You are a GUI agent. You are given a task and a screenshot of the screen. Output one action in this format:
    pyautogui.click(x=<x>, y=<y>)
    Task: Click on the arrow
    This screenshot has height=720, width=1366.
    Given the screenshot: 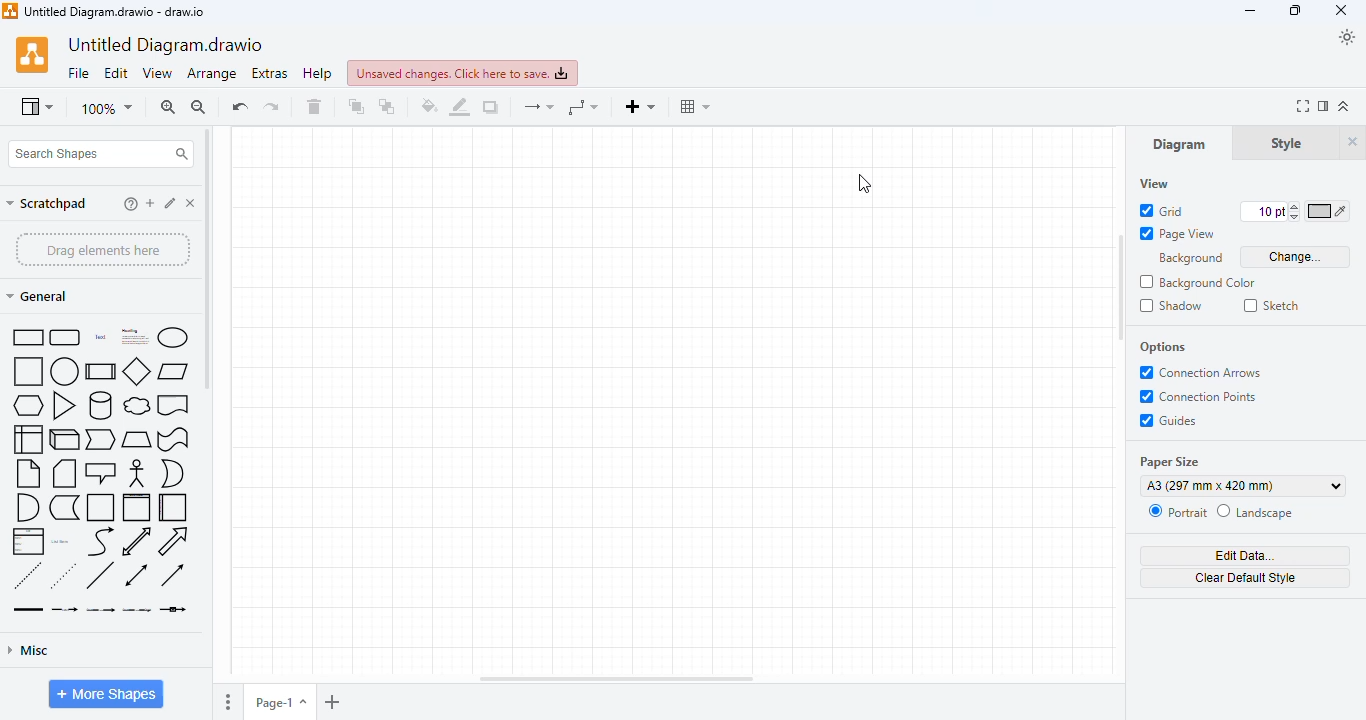 What is the action you would take?
    pyautogui.click(x=174, y=541)
    